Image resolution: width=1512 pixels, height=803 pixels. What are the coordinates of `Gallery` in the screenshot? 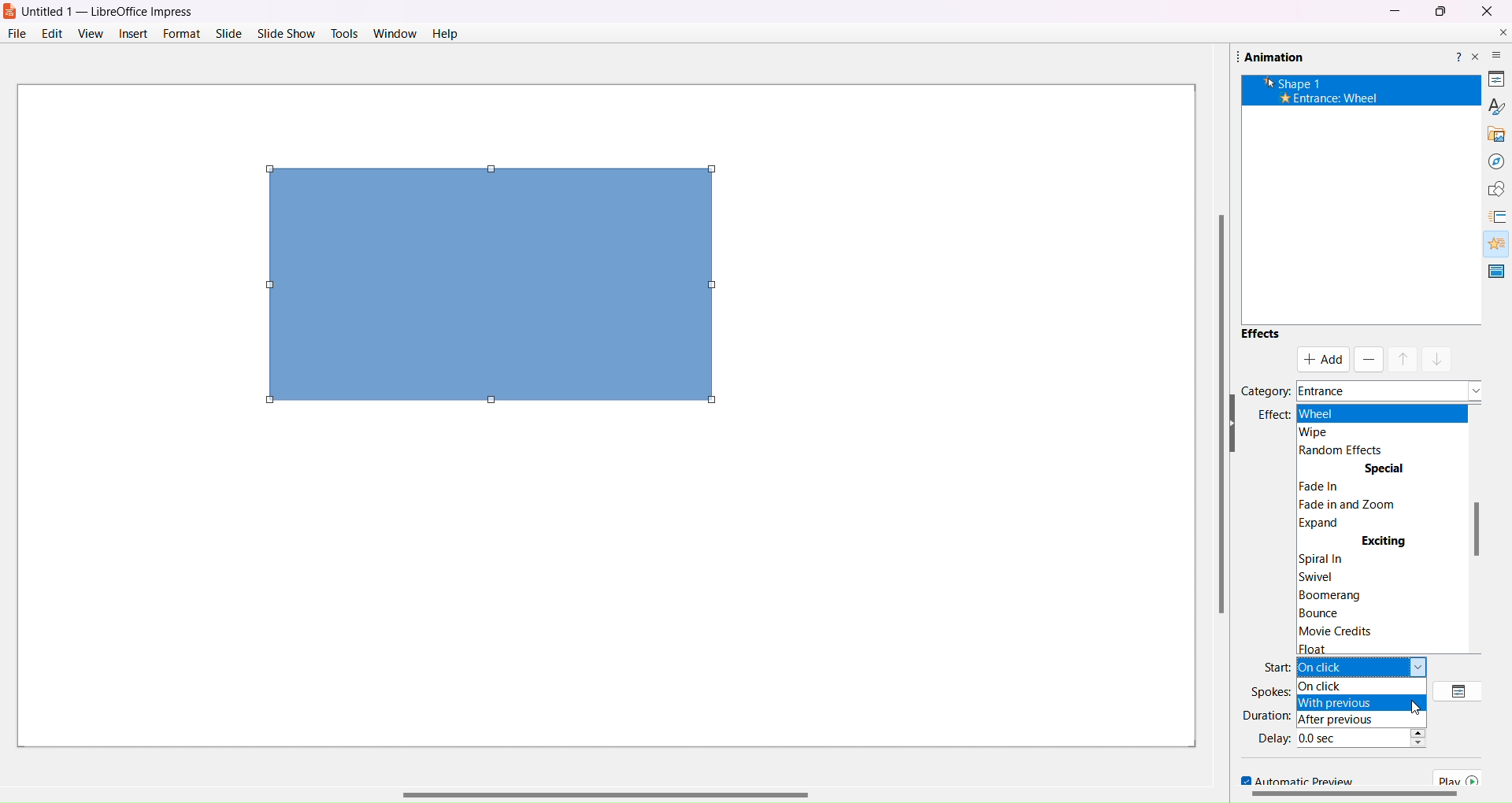 It's located at (1491, 131).